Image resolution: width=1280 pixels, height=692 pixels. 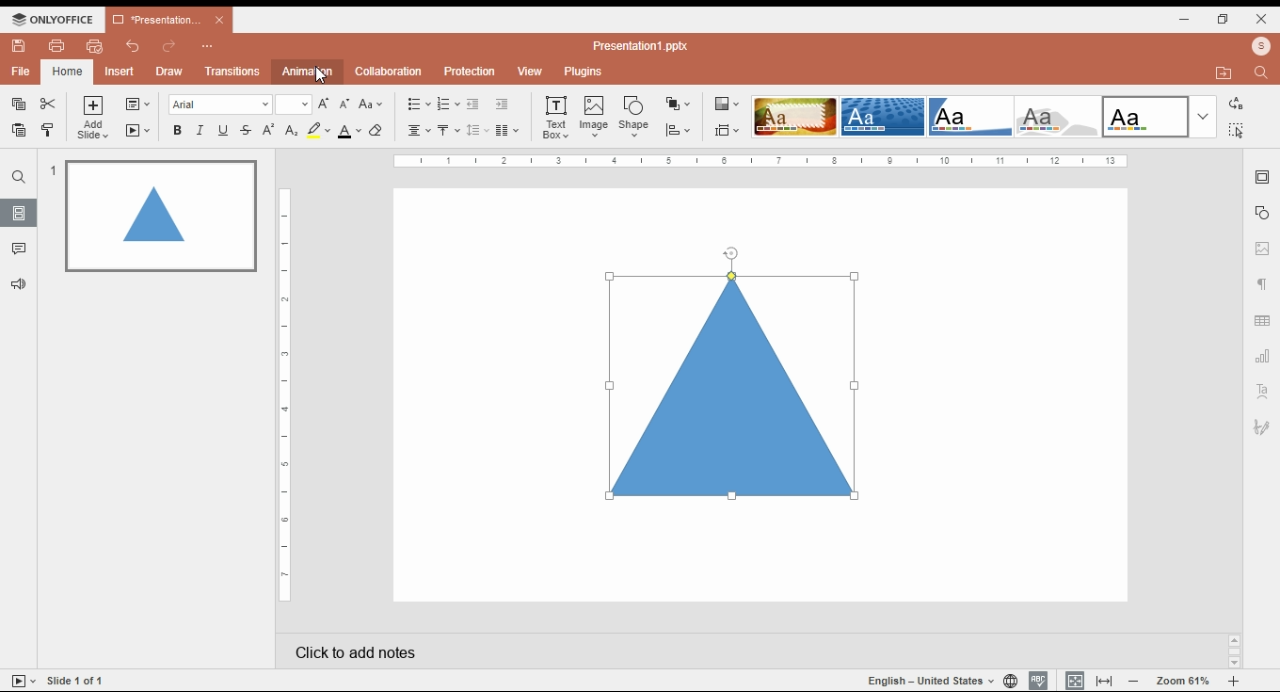 What do you see at coordinates (507, 130) in the screenshot?
I see `insert columns` at bounding box center [507, 130].